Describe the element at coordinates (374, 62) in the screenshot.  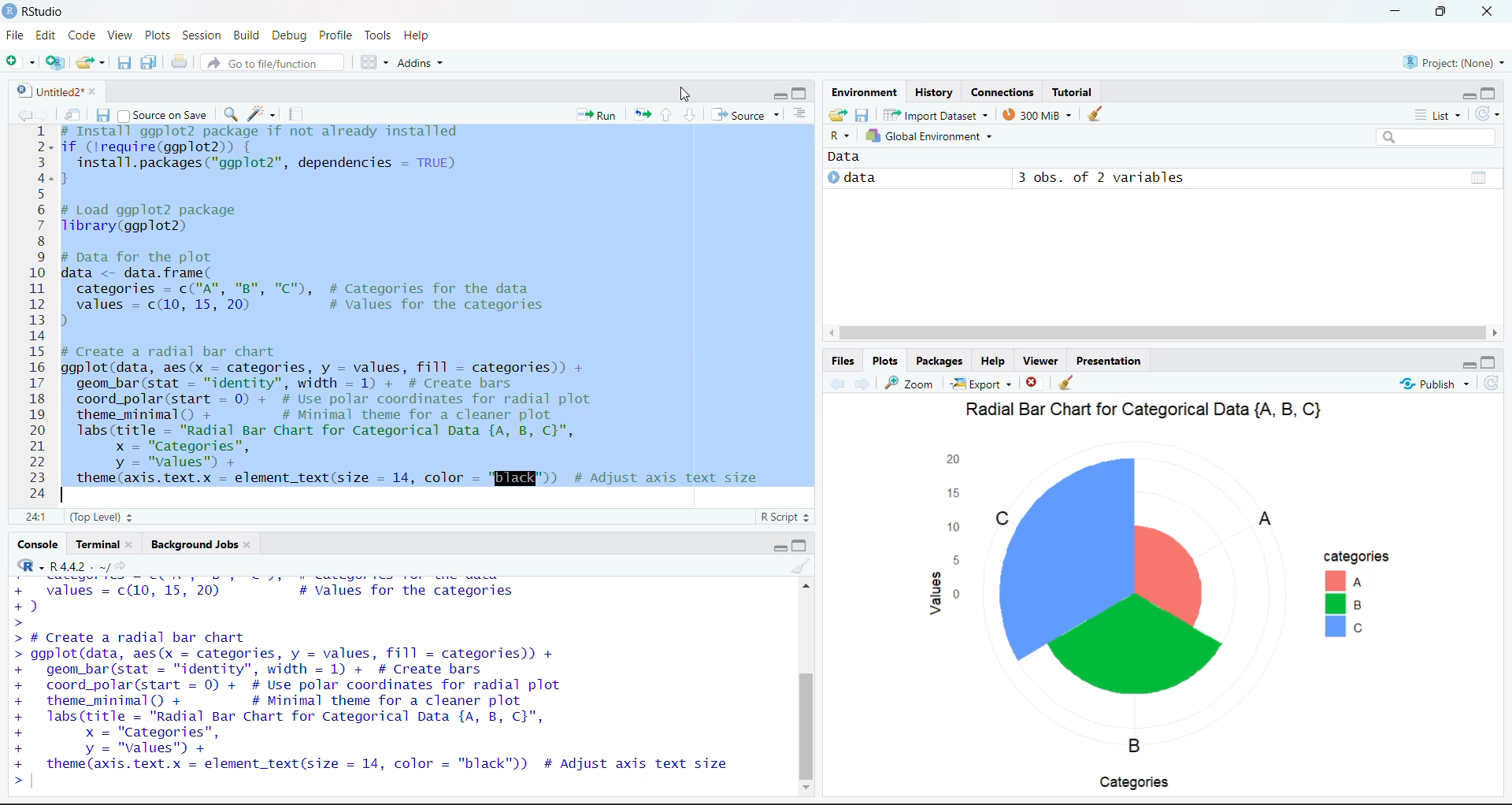
I see `workspace pane` at that location.